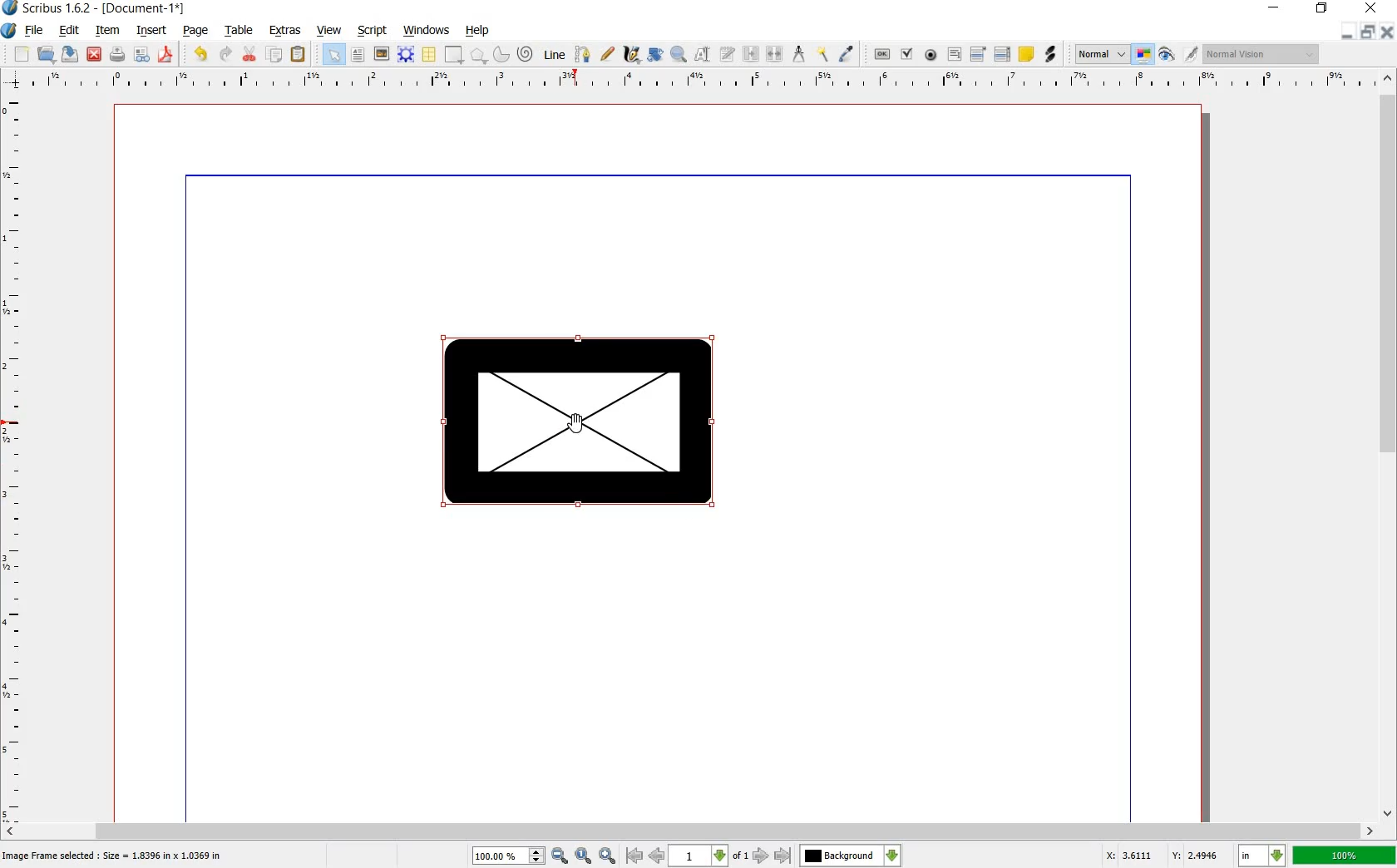 This screenshot has width=1397, height=868. What do you see at coordinates (275, 56) in the screenshot?
I see `copy` at bounding box center [275, 56].